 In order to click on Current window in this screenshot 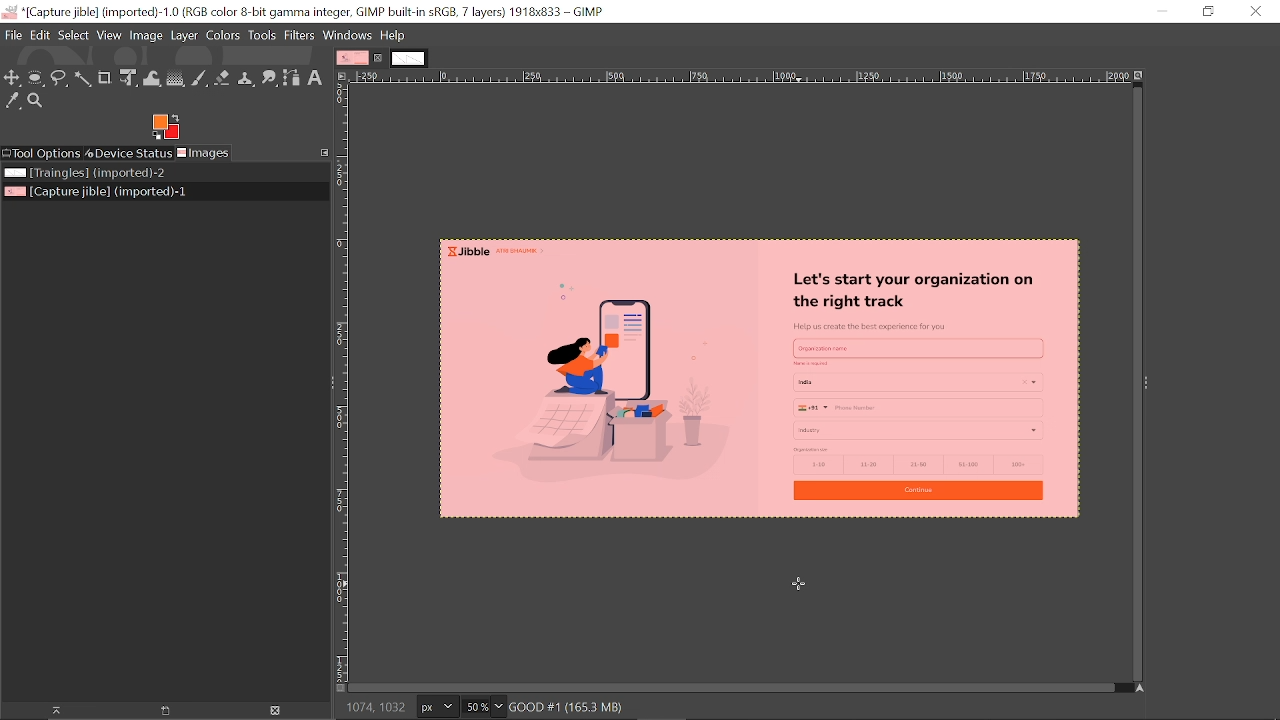, I will do `click(303, 10)`.